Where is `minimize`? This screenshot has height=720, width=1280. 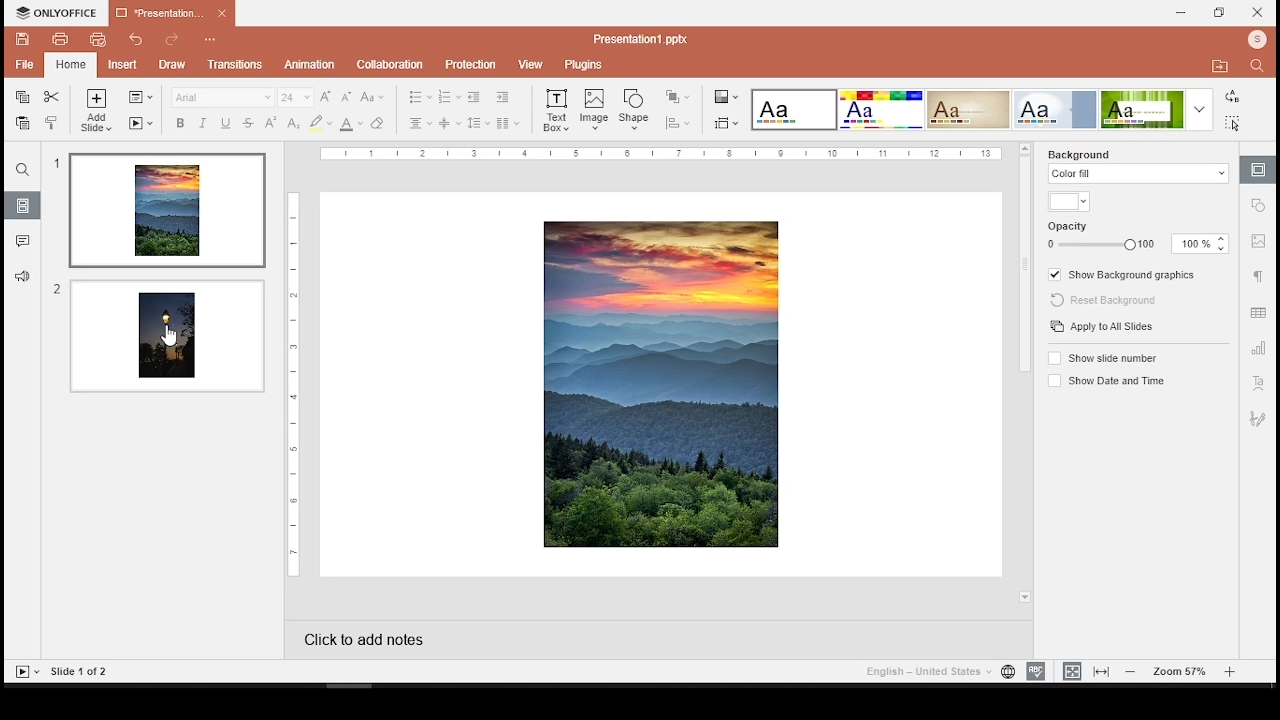 minimize is located at coordinates (1183, 13).